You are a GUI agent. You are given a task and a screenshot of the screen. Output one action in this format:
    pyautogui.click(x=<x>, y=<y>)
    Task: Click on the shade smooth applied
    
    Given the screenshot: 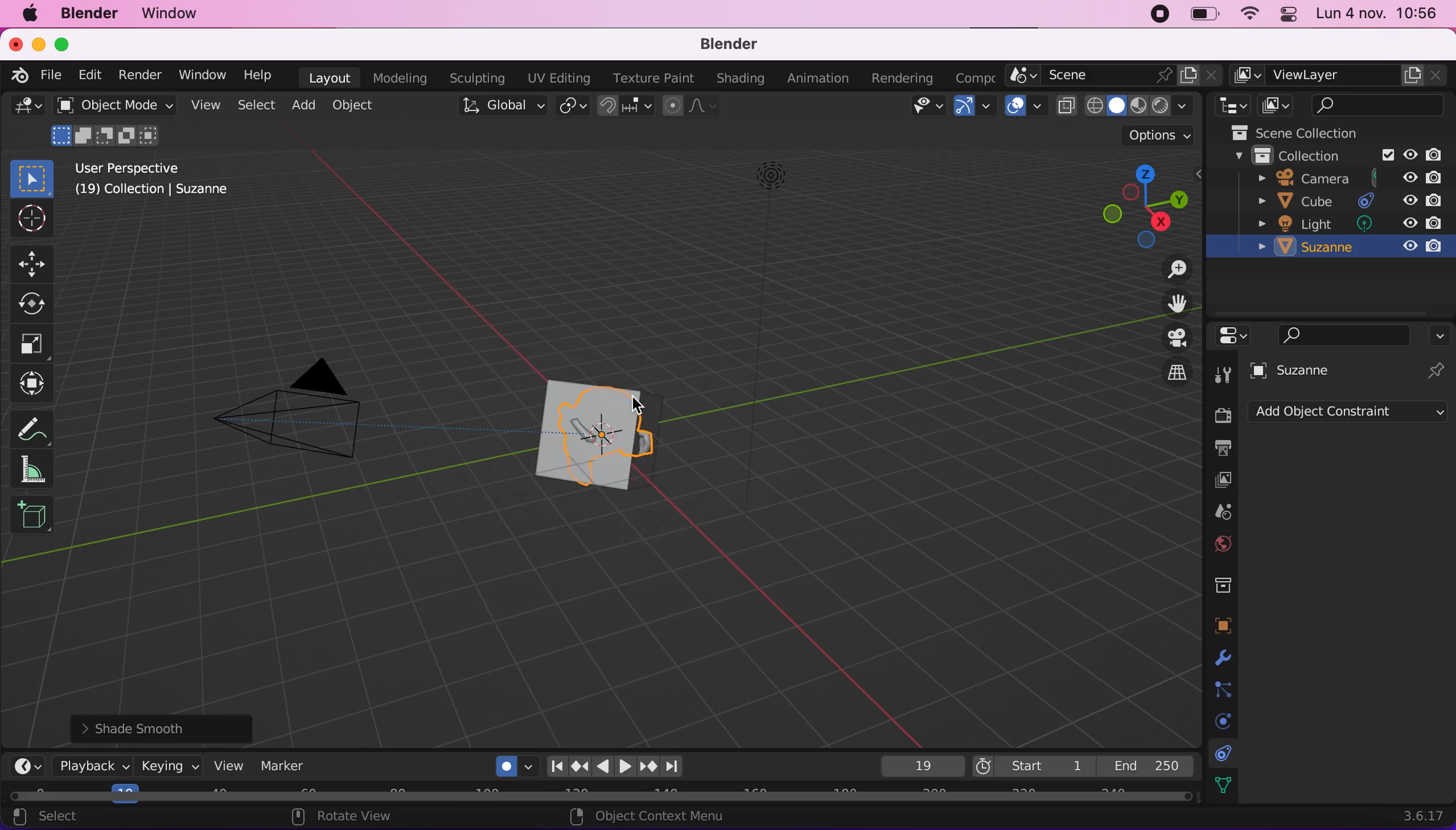 What is the action you would take?
    pyautogui.click(x=169, y=727)
    